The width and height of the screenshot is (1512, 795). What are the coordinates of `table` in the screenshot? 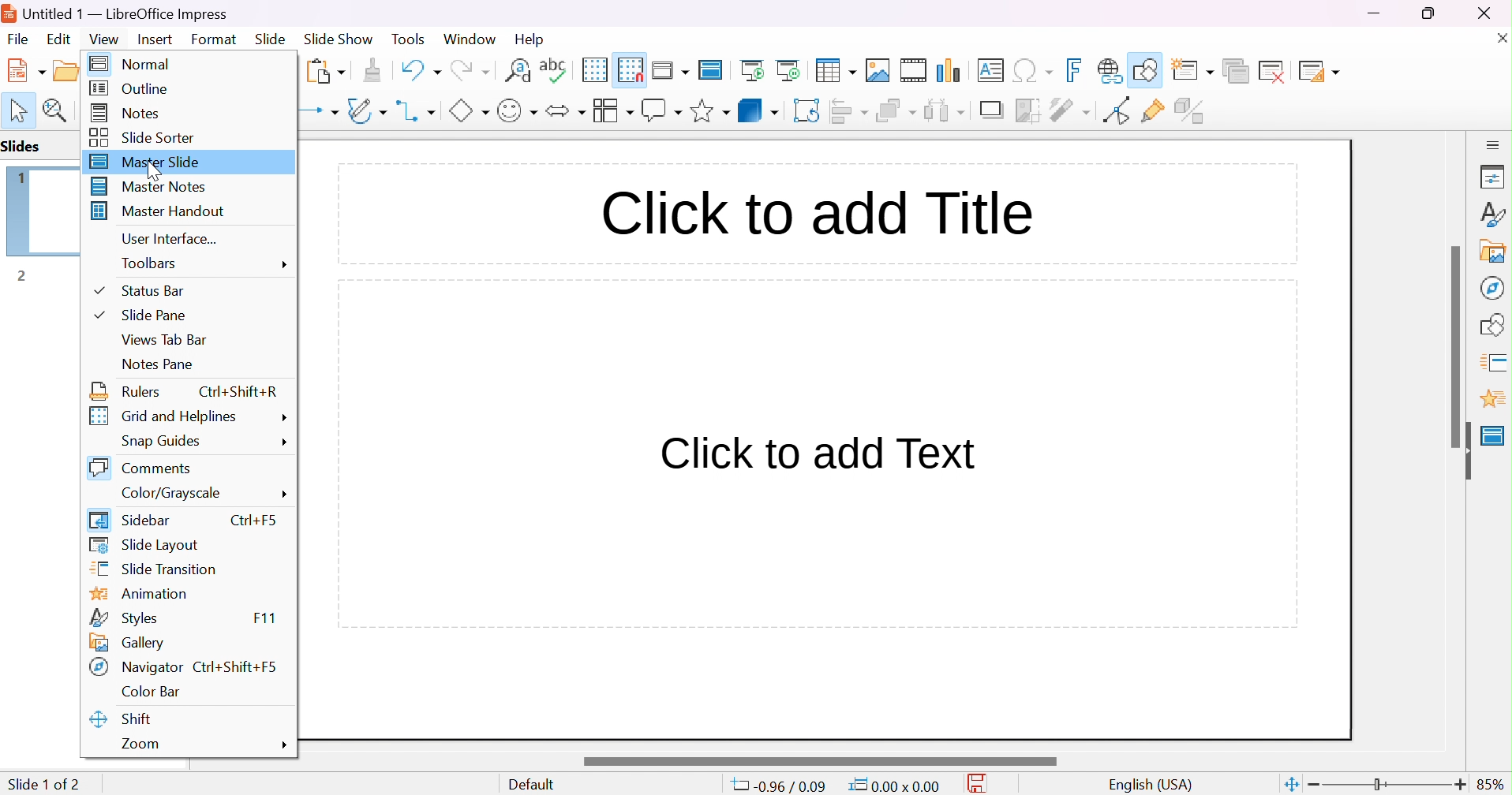 It's located at (836, 69).